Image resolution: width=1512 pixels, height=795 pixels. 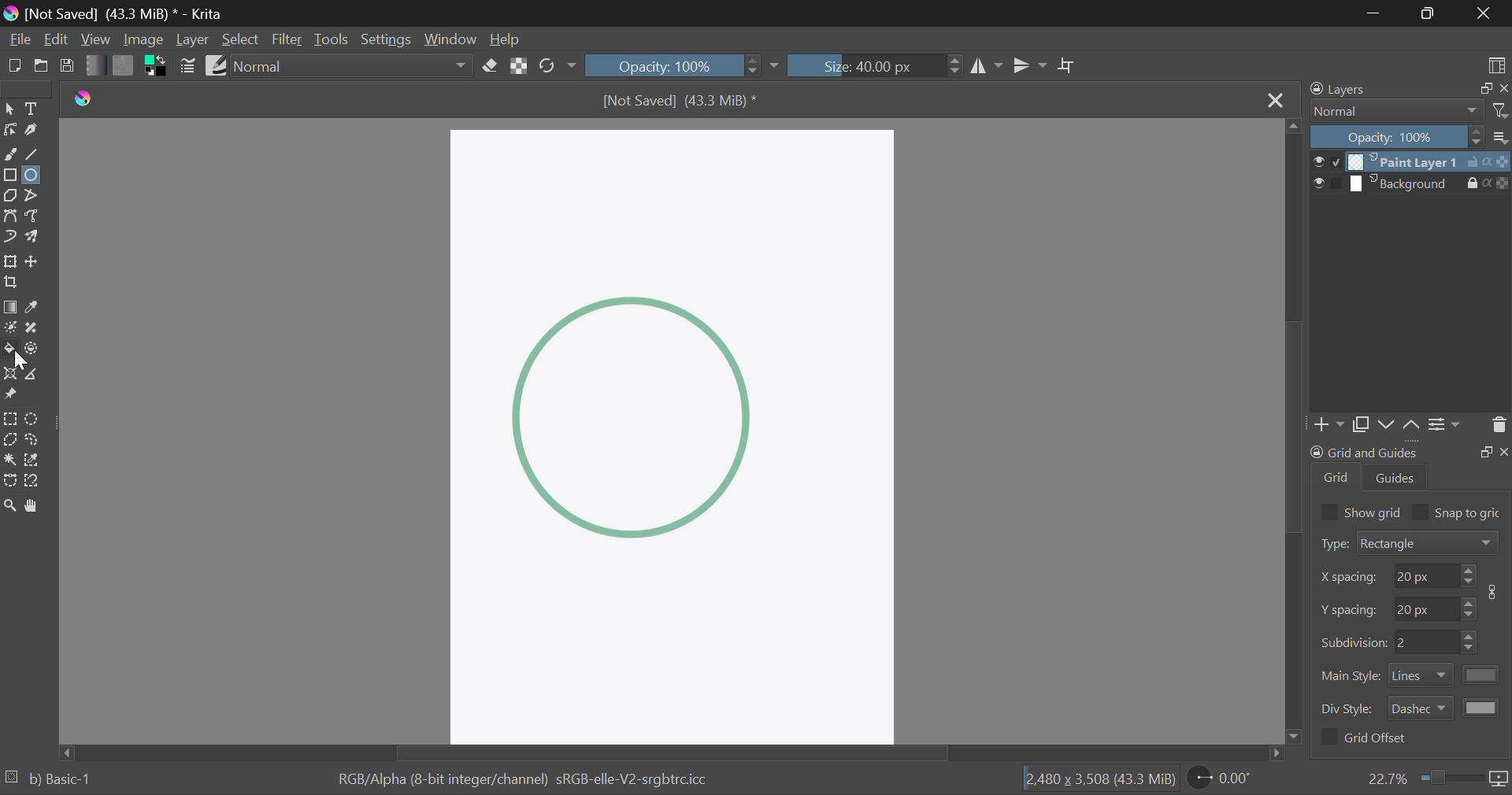 What do you see at coordinates (1409, 112) in the screenshot?
I see `Blending Modes` at bounding box center [1409, 112].